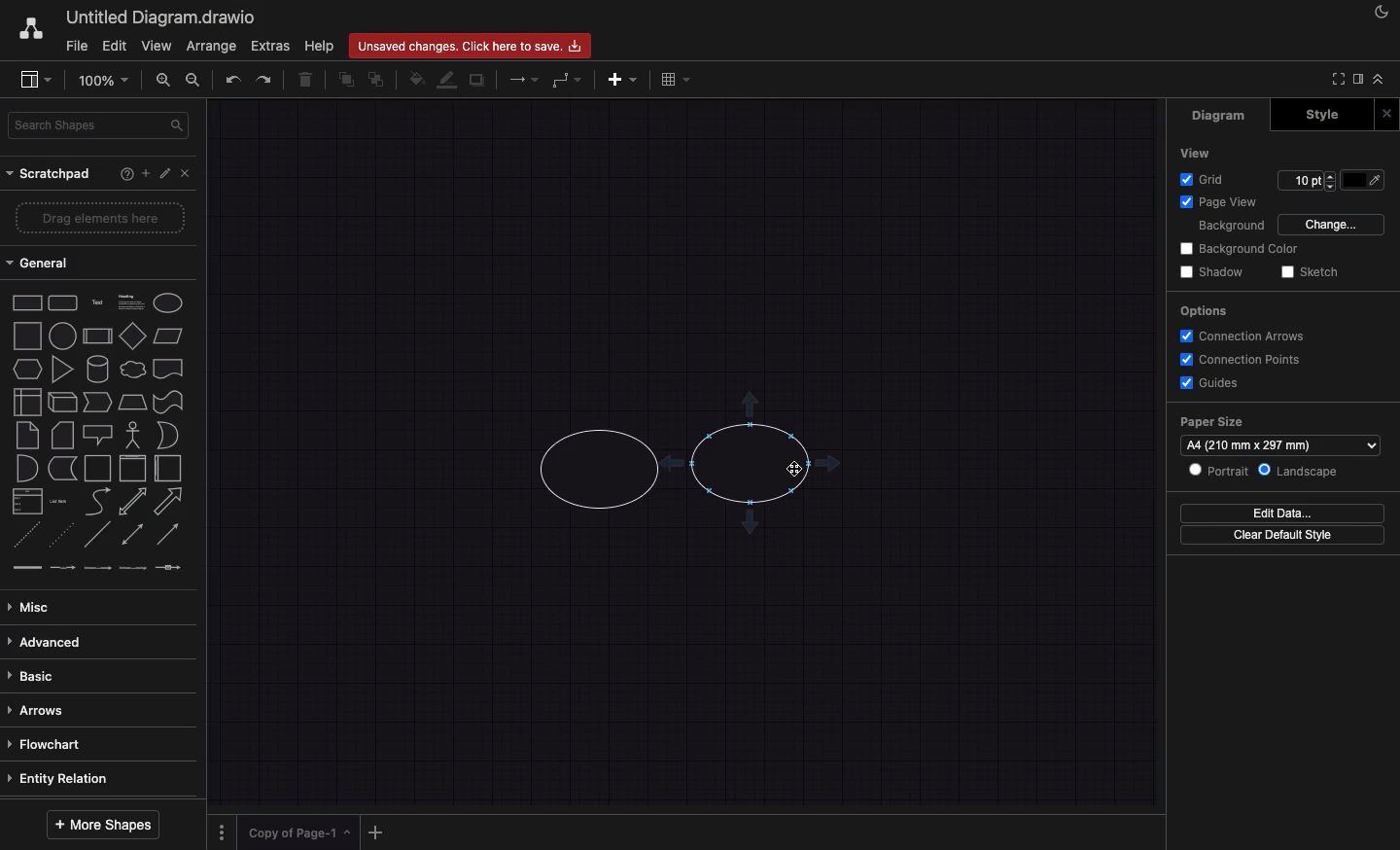 The width and height of the screenshot is (1400, 850). Describe the element at coordinates (161, 18) in the screenshot. I see `untitled diagram.drawio` at that location.